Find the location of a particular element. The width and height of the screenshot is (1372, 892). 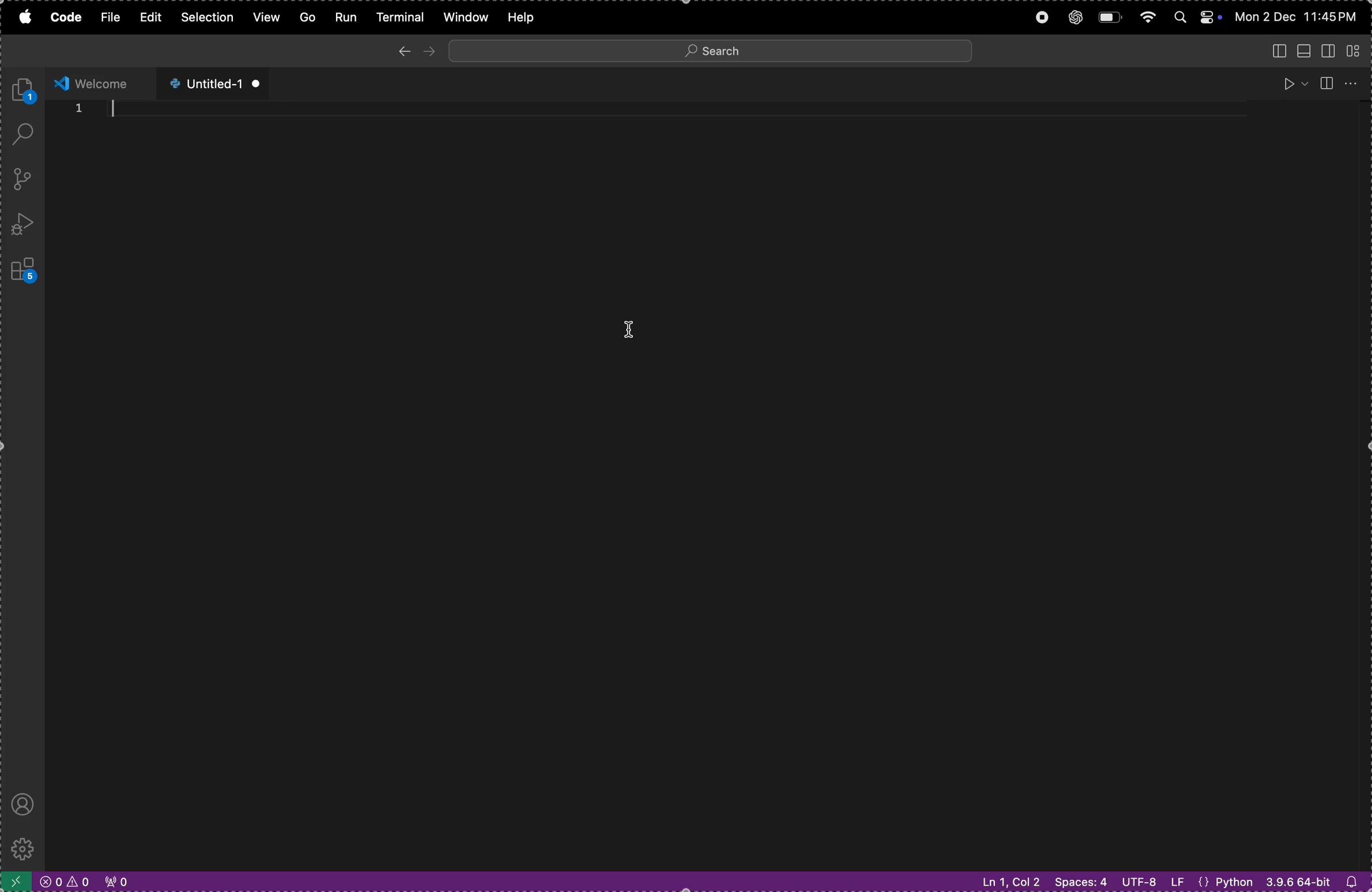

Settings is located at coordinates (21, 849).